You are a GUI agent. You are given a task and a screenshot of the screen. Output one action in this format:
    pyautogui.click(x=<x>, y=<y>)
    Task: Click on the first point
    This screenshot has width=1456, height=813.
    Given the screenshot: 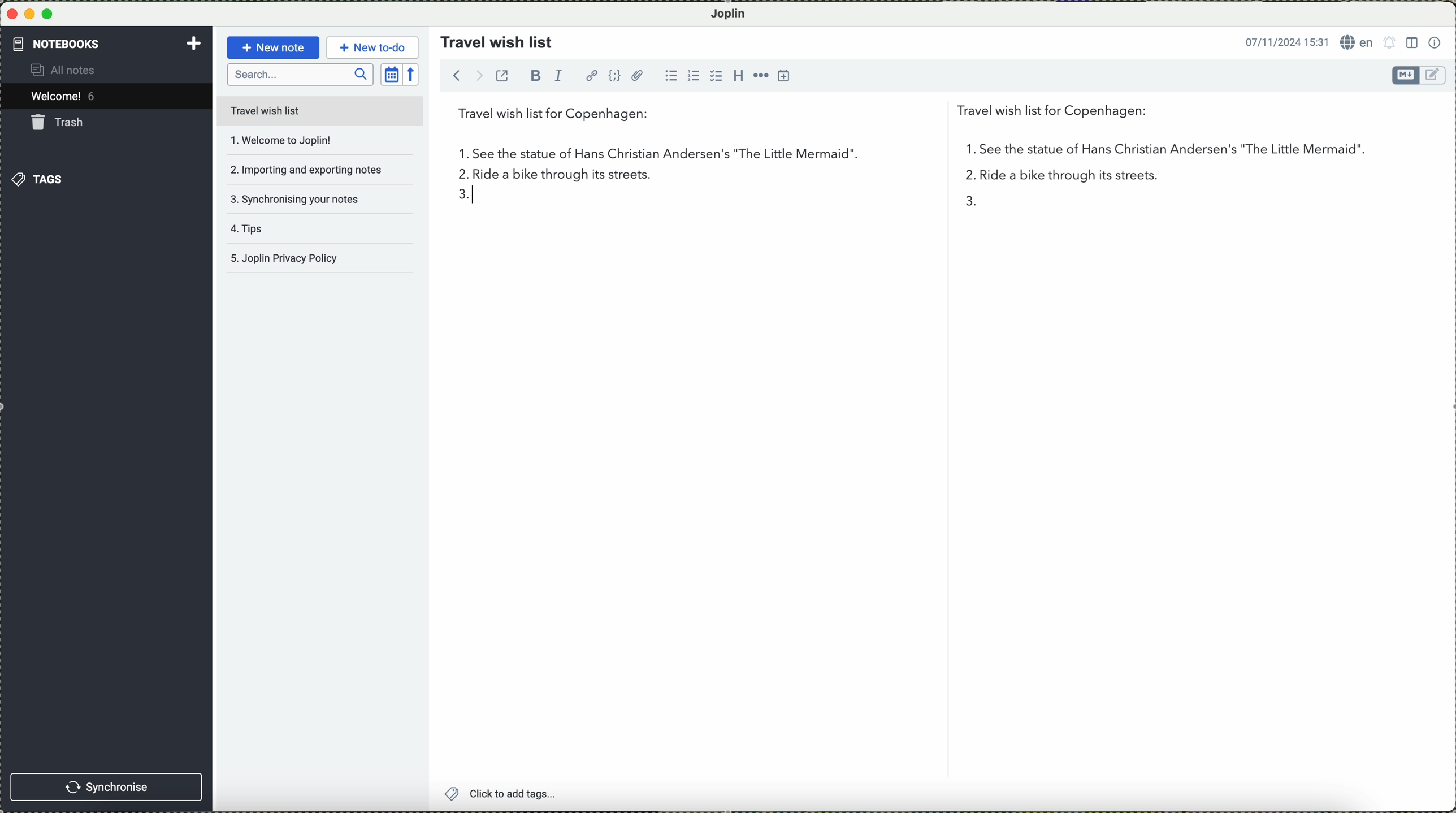 What is the action you would take?
    pyautogui.click(x=899, y=153)
    